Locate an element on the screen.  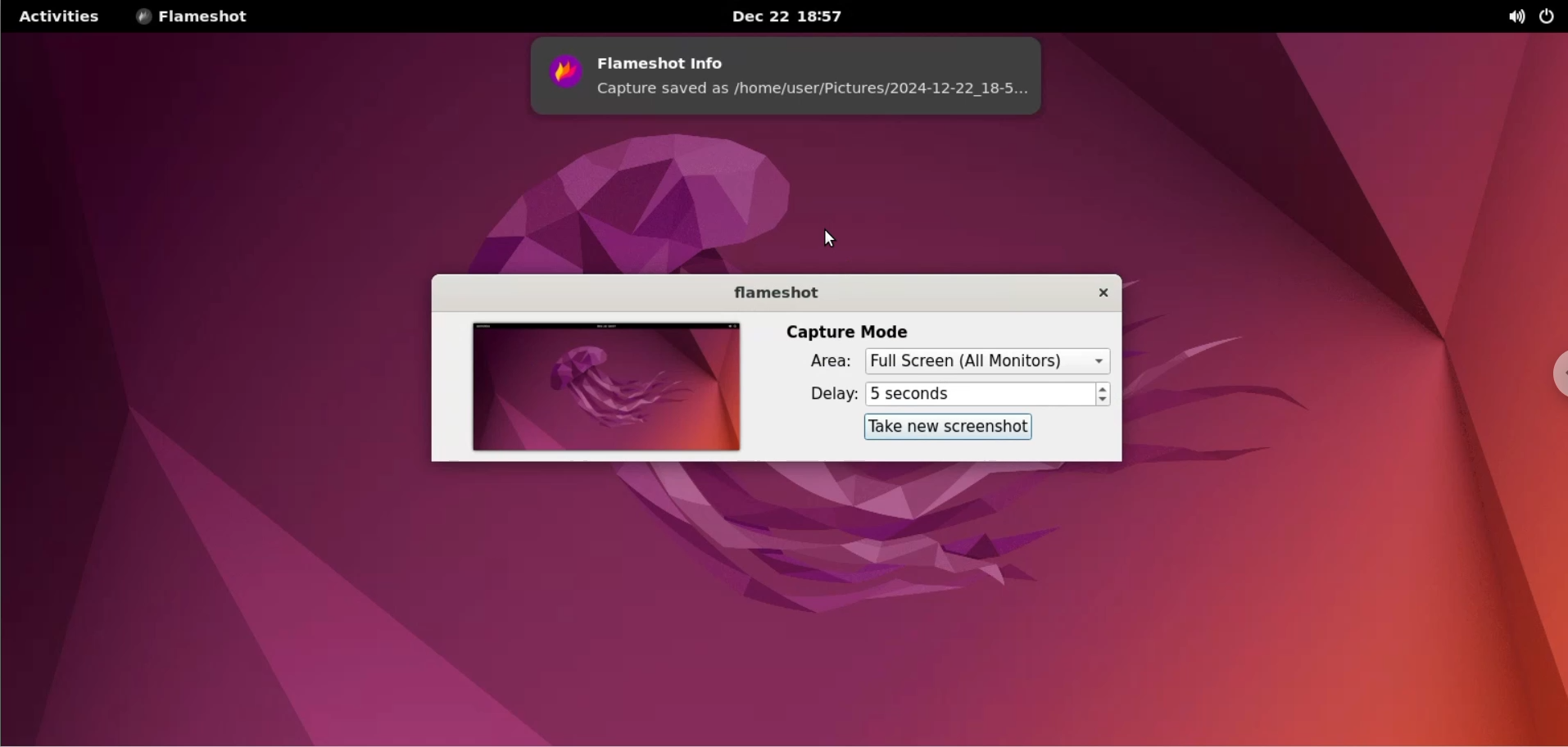
flameshot info is located at coordinates (820, 57).